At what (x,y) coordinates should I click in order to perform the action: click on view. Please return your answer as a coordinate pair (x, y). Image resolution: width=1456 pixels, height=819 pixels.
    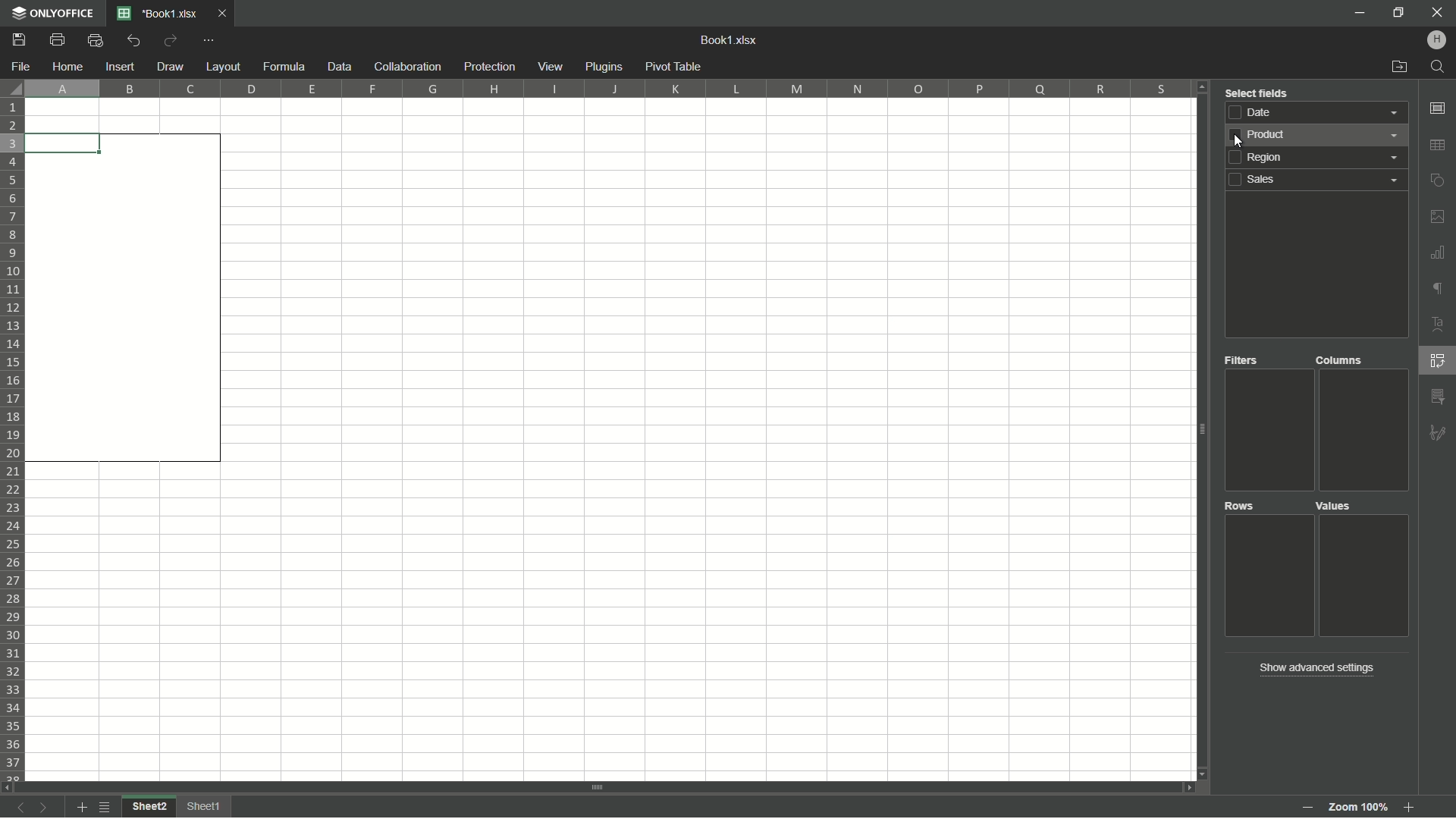
    Looking at the image, I should click on (551, 67).